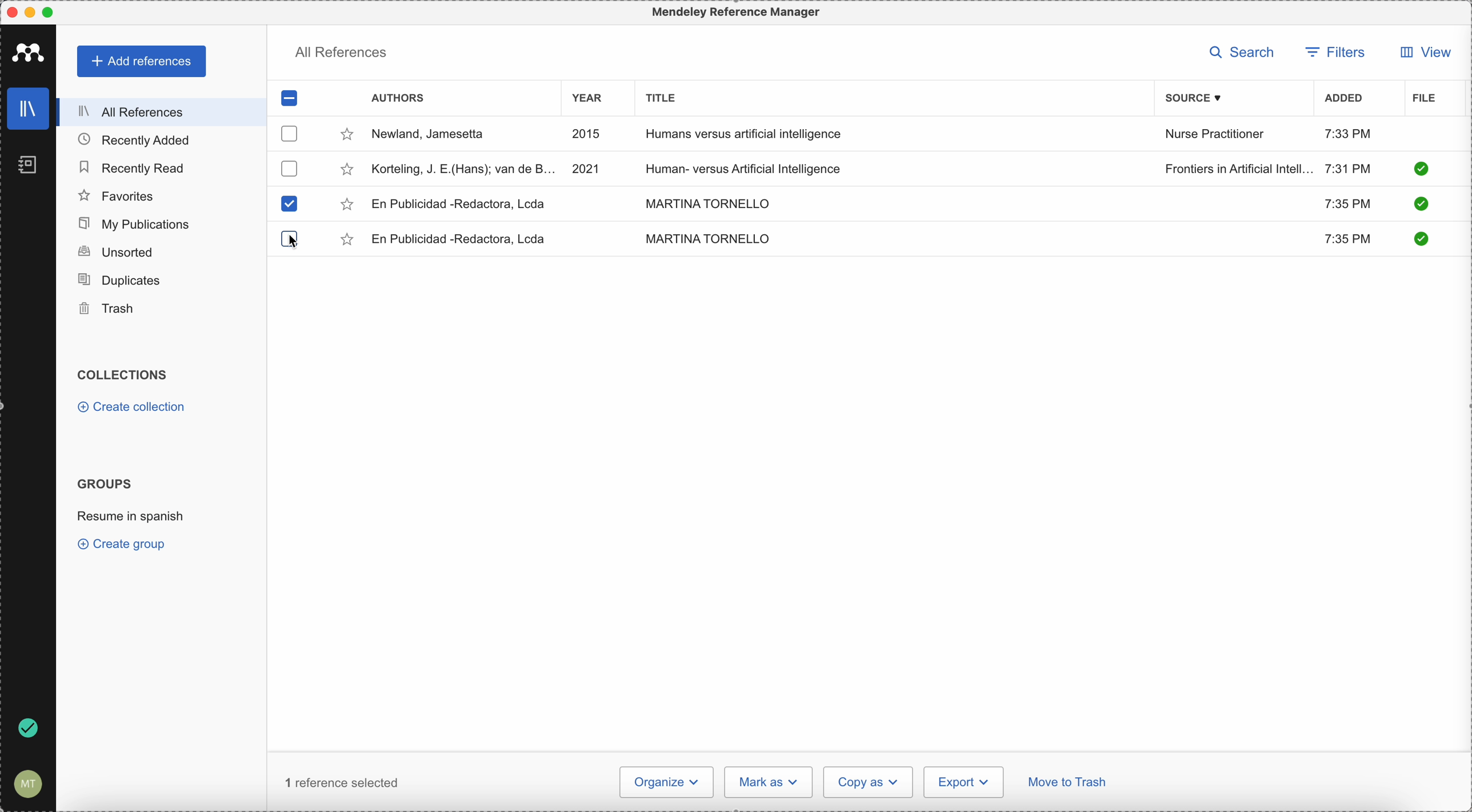  What do you see at coordinates (1421, 169) in the screenshot?
I see `check it` at bounding box center [1421, 169].